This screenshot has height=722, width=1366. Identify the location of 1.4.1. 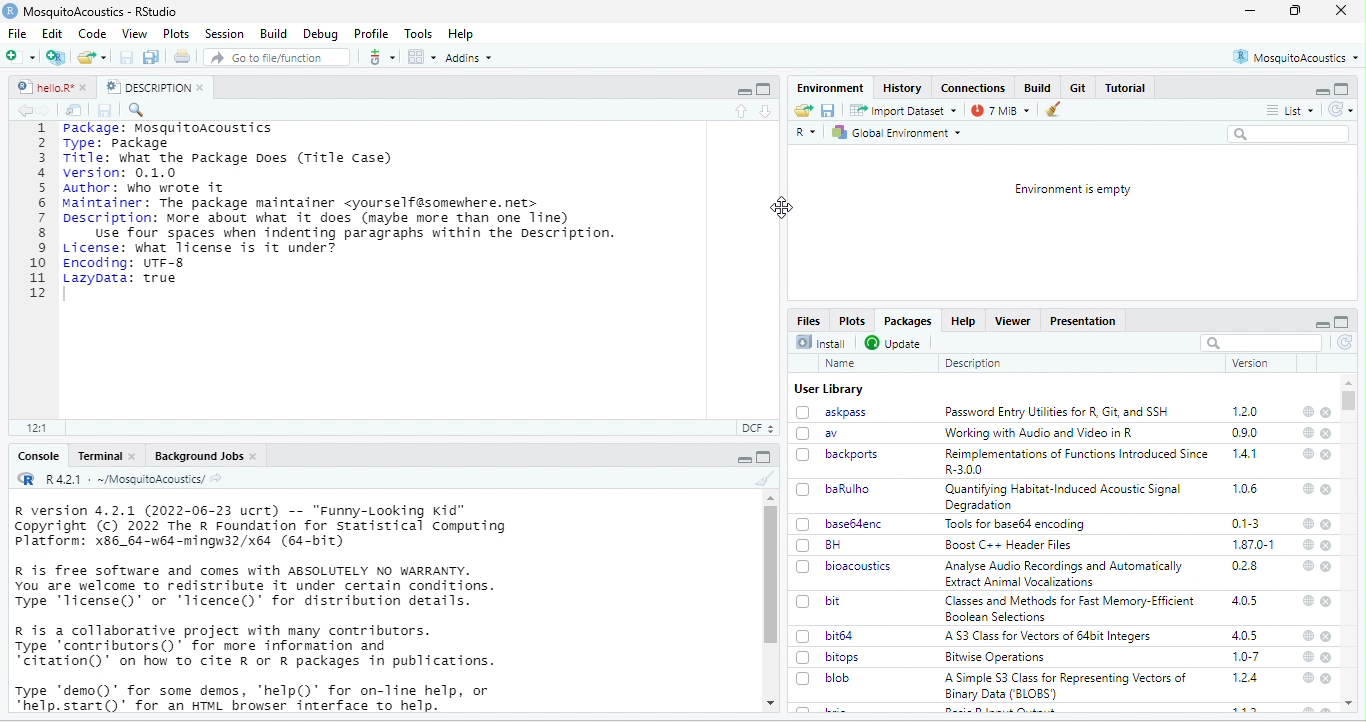
(1246, 454).